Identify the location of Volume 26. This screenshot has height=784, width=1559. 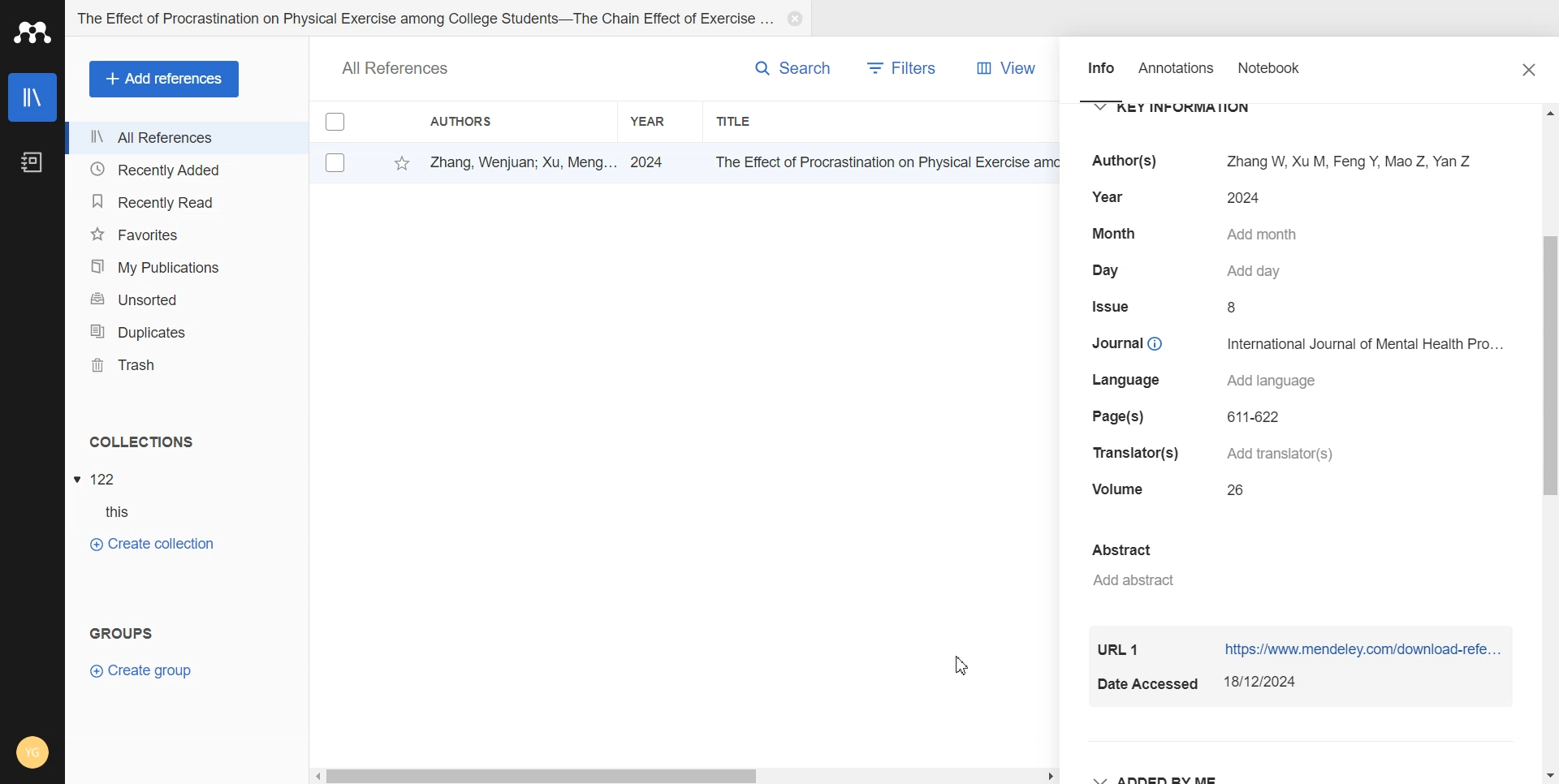
(1174, 490).